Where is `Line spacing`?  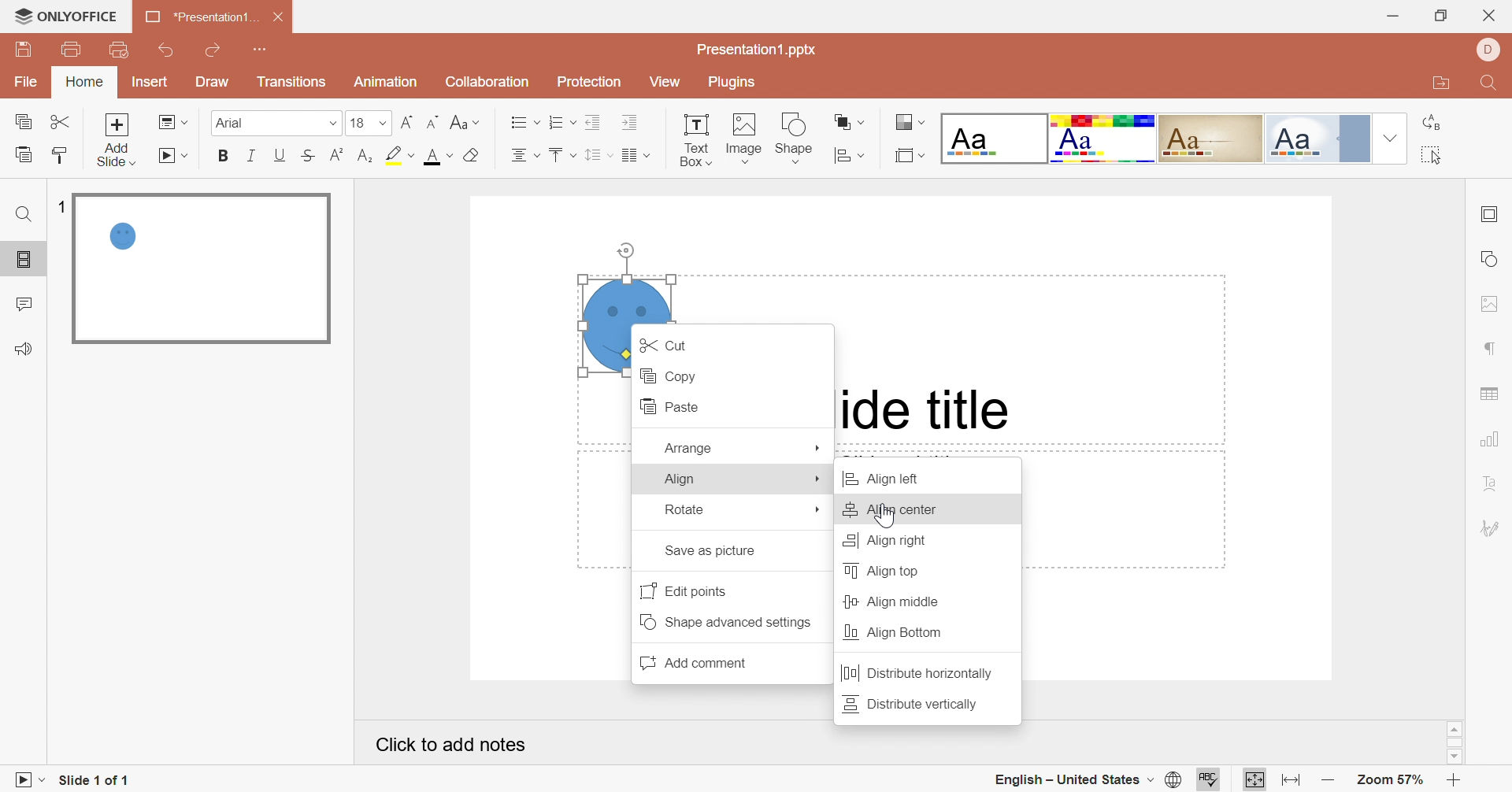 Line spacing is located at coordinates (599, 155).